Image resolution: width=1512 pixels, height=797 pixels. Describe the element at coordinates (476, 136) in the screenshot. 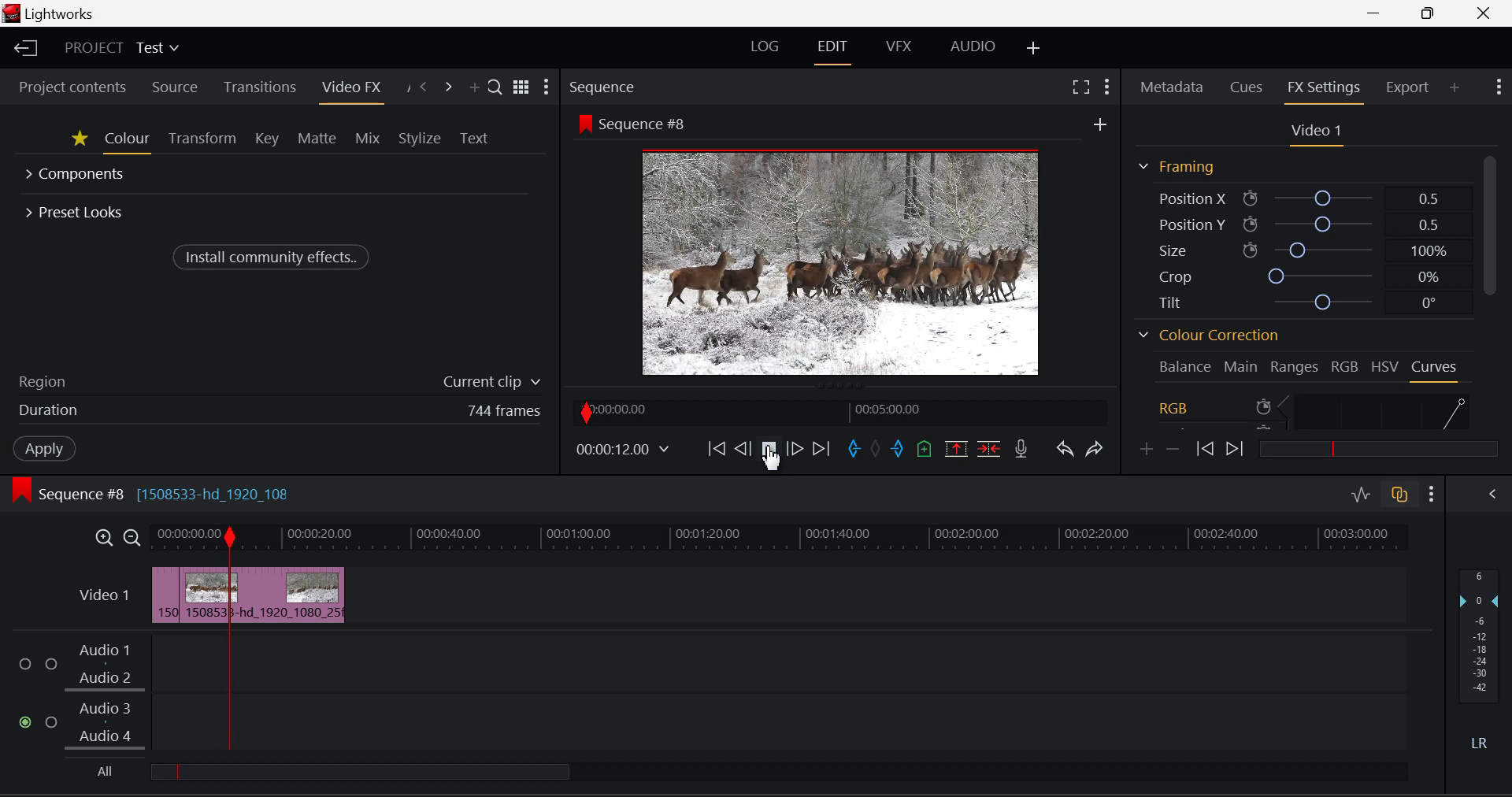

I see `Text` at that location.